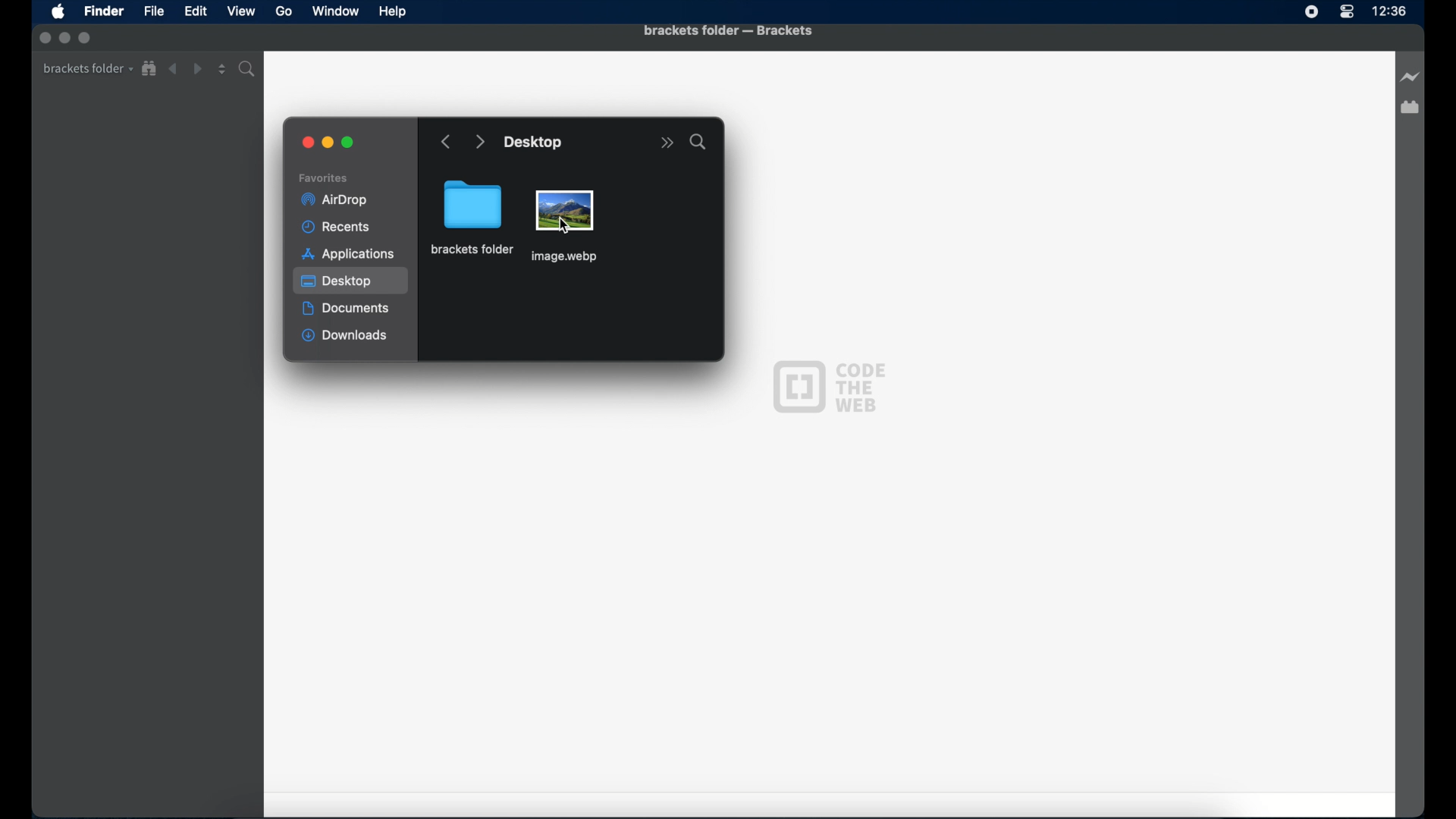 The width and height of the screenshot is (1456, 819). I want to click on Finder, so click(105, 11).